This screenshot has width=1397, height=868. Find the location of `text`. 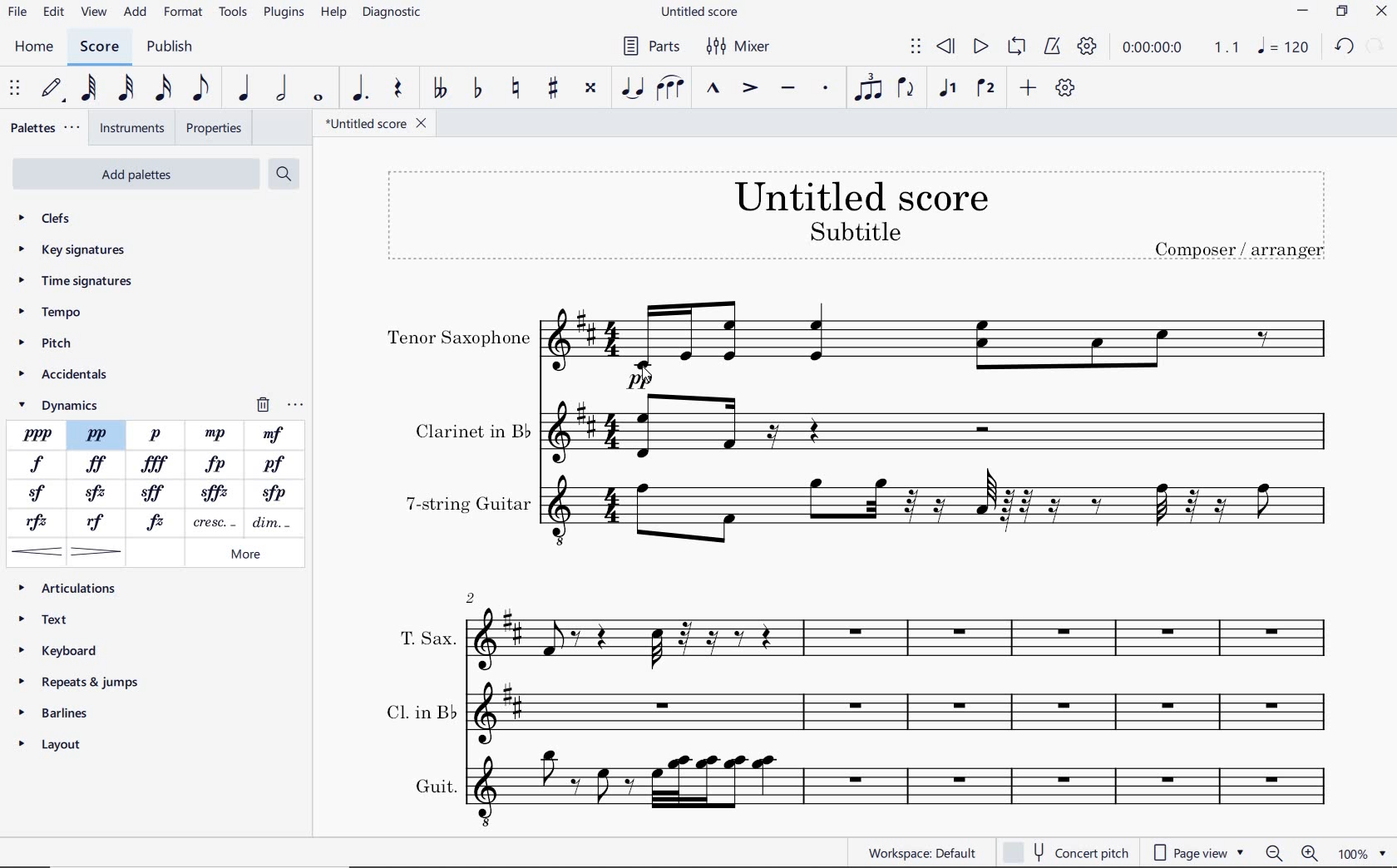

text is located at coordinates (433, 786).